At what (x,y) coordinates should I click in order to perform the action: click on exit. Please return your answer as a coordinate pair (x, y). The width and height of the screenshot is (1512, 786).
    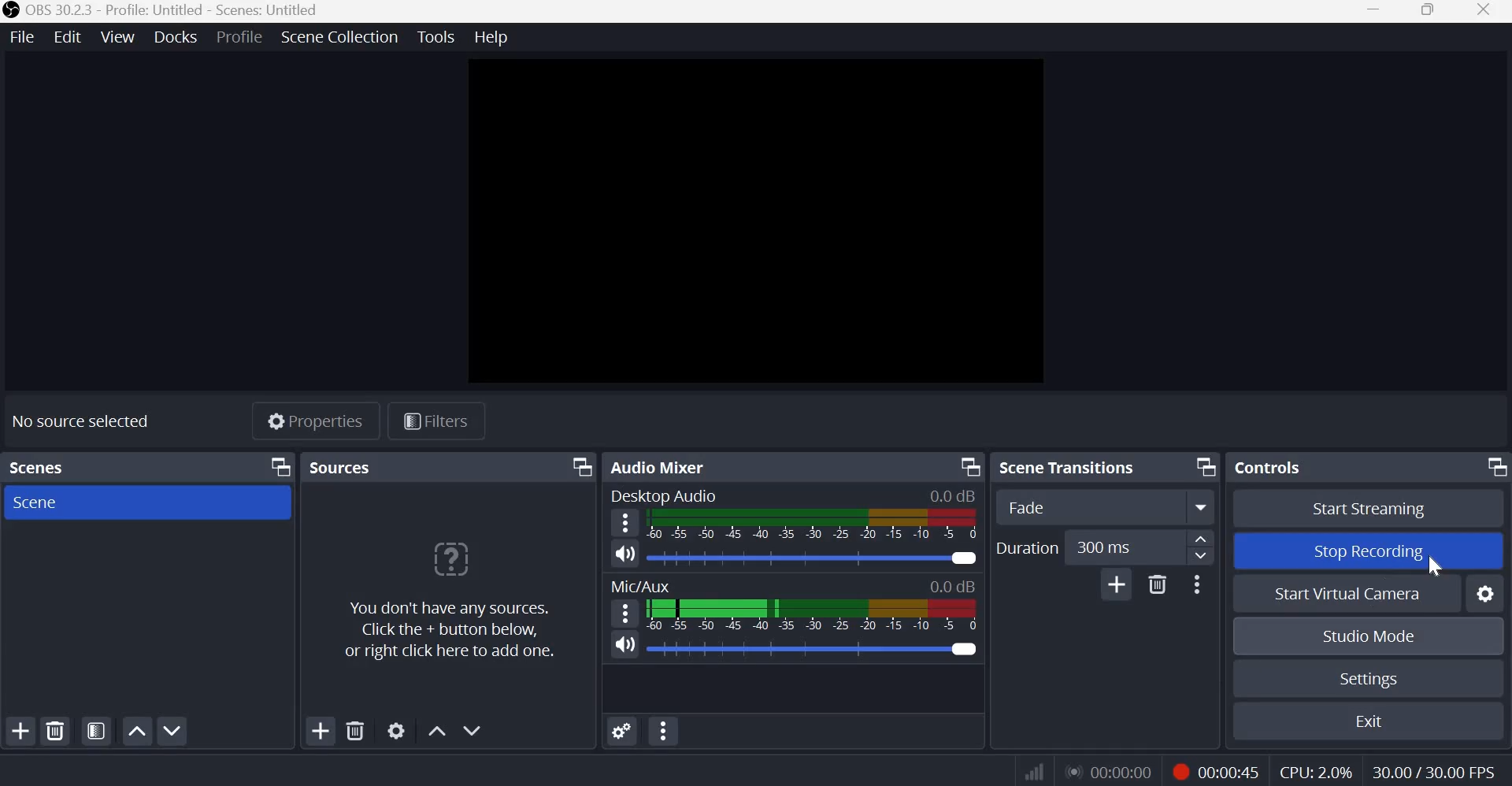
    Looking at the image, I should click on (1369, 720).